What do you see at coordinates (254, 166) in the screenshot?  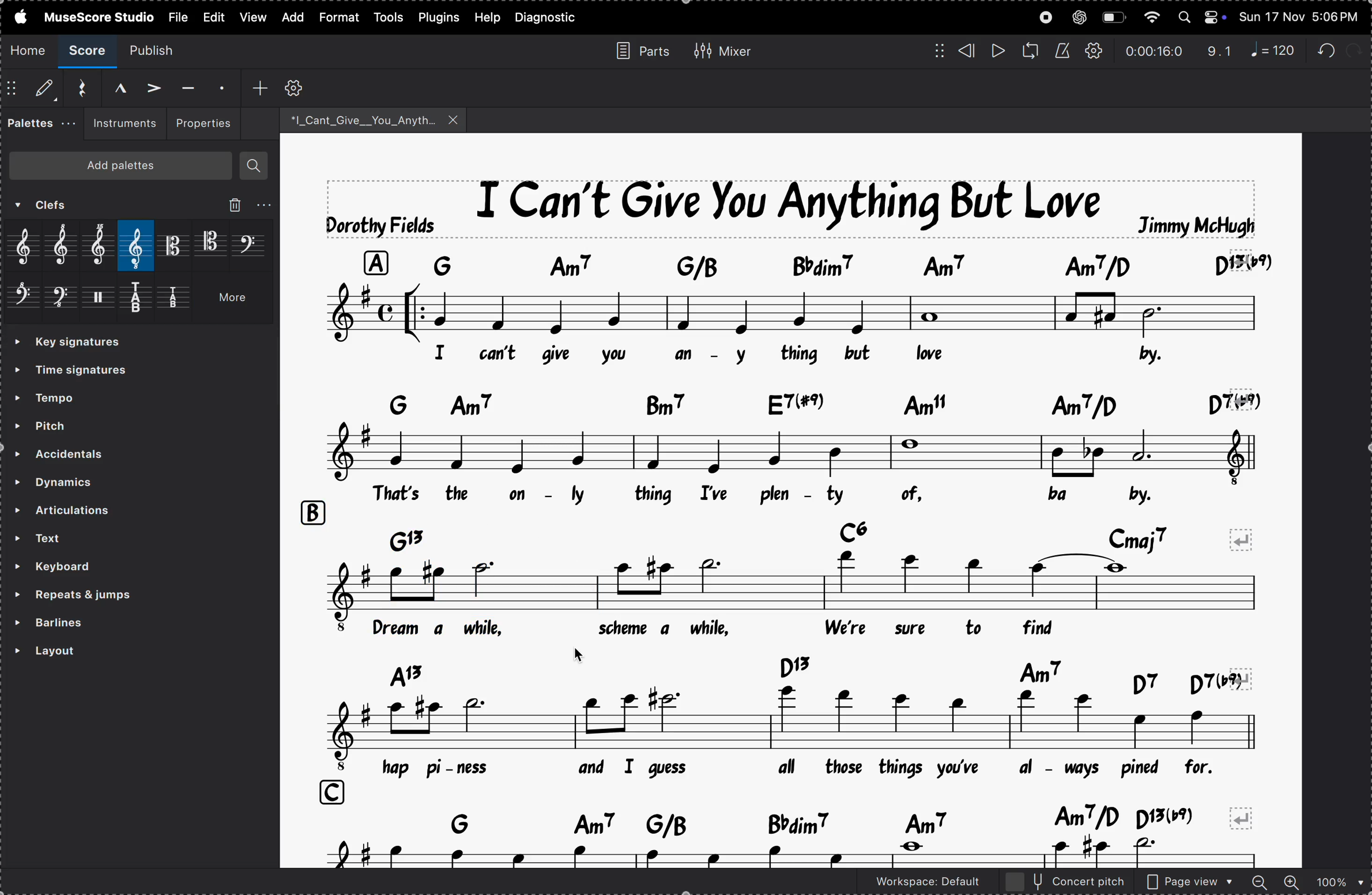 I see `search` at bounding box center [254, 166].